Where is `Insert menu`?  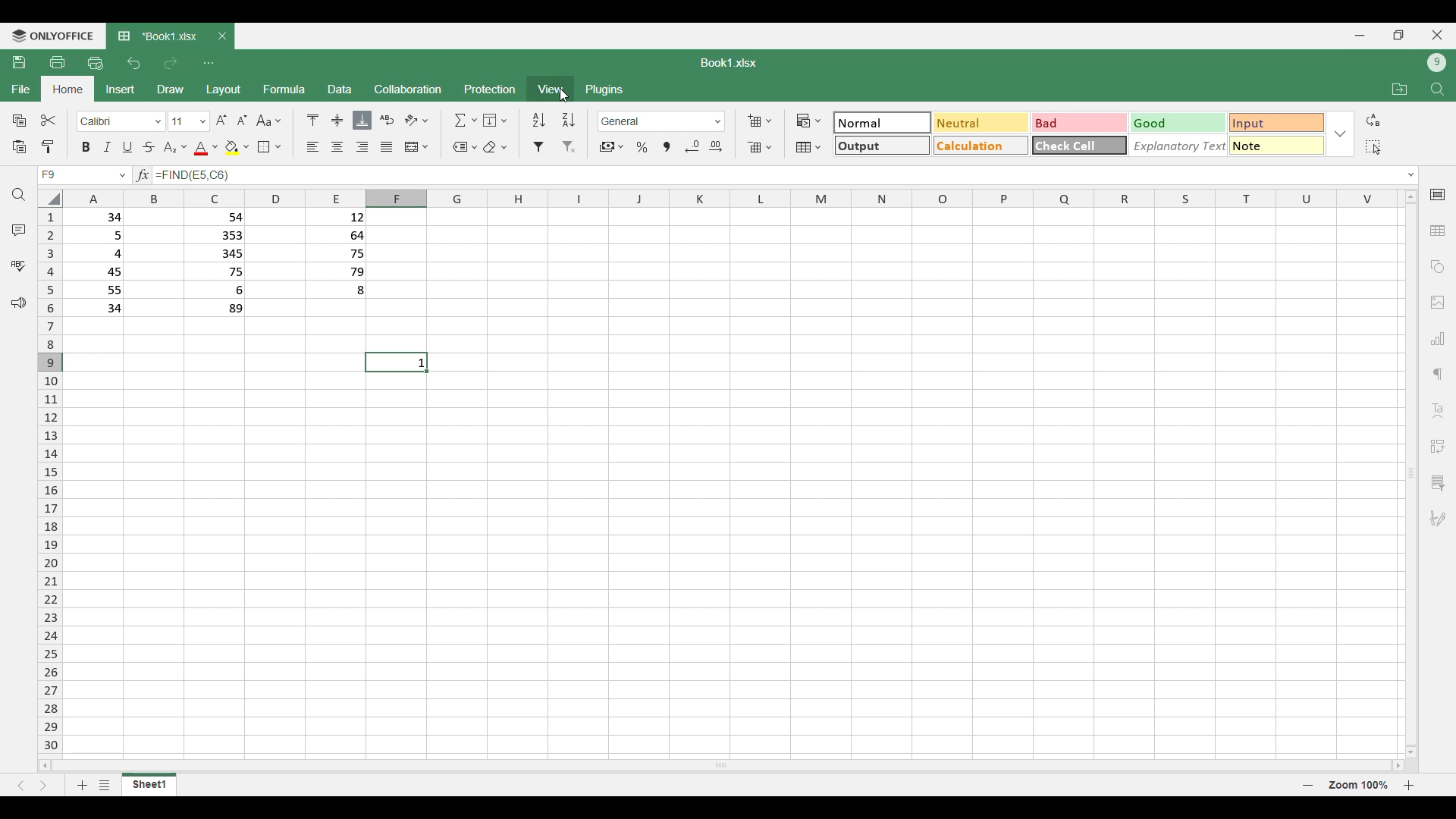
Insert menu is located at coordinates (119, 90).